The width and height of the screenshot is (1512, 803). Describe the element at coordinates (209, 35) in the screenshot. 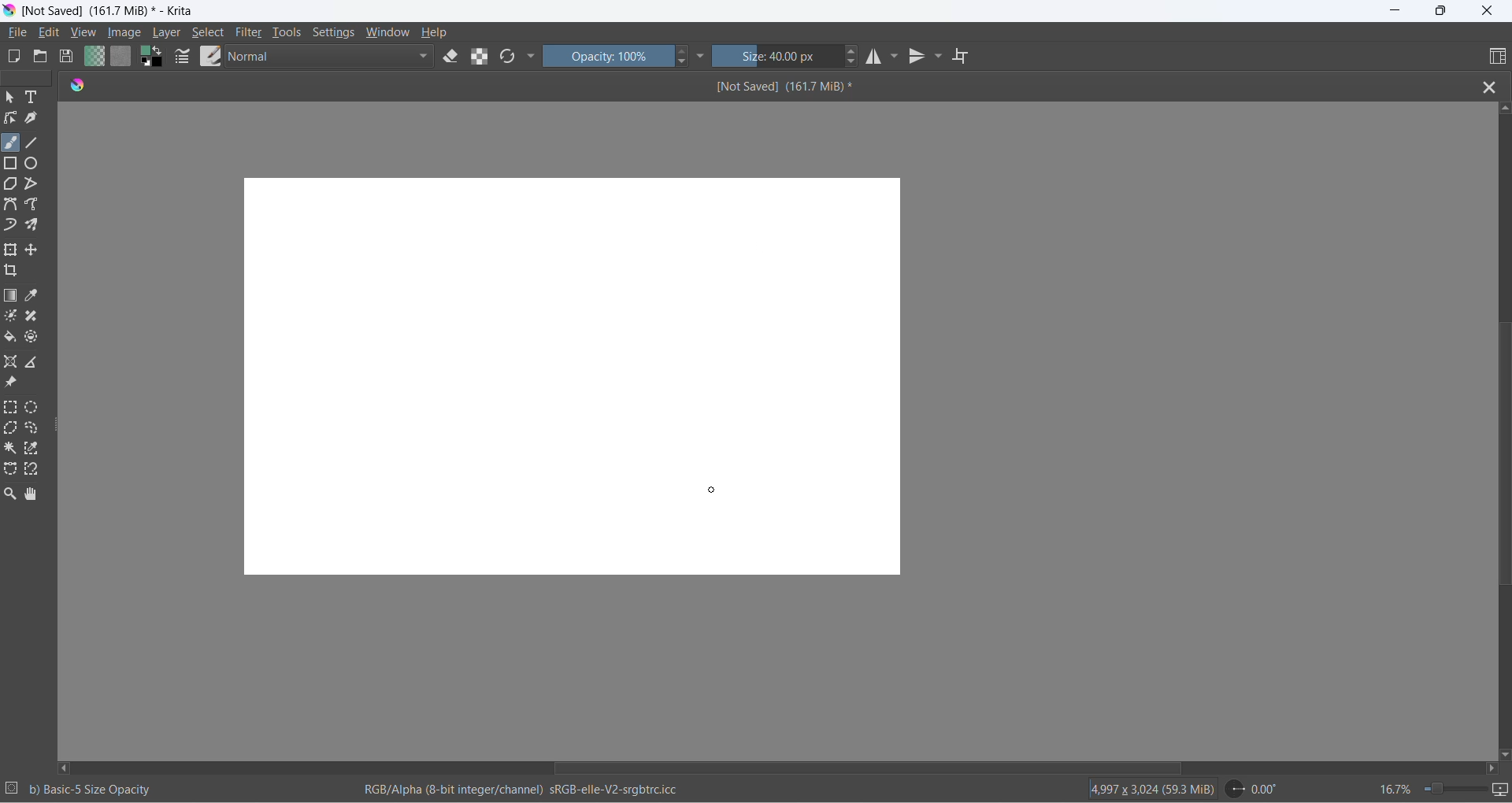

I see `select` at that location.